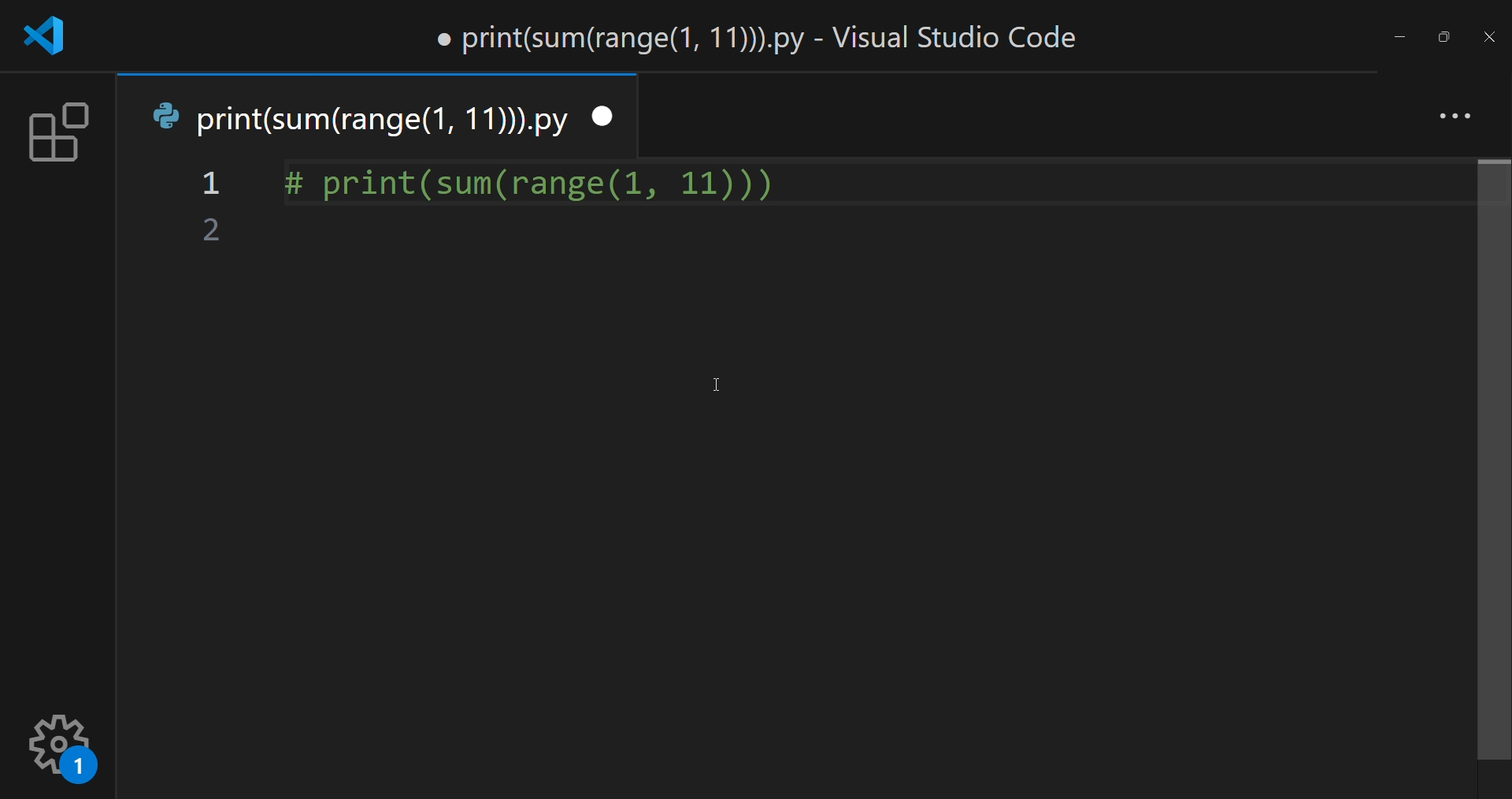  Describe the element at coordinates (51, 36) in the screenshot. I see `logo` at that location.